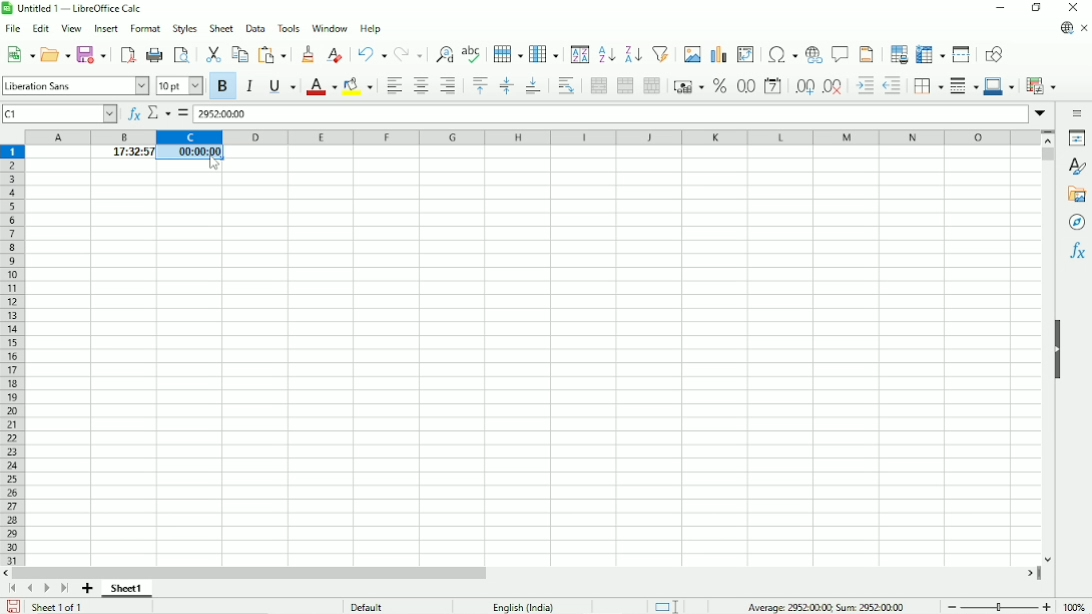 The image size is (1092, 614). I want to click on View, so click(70, 29).